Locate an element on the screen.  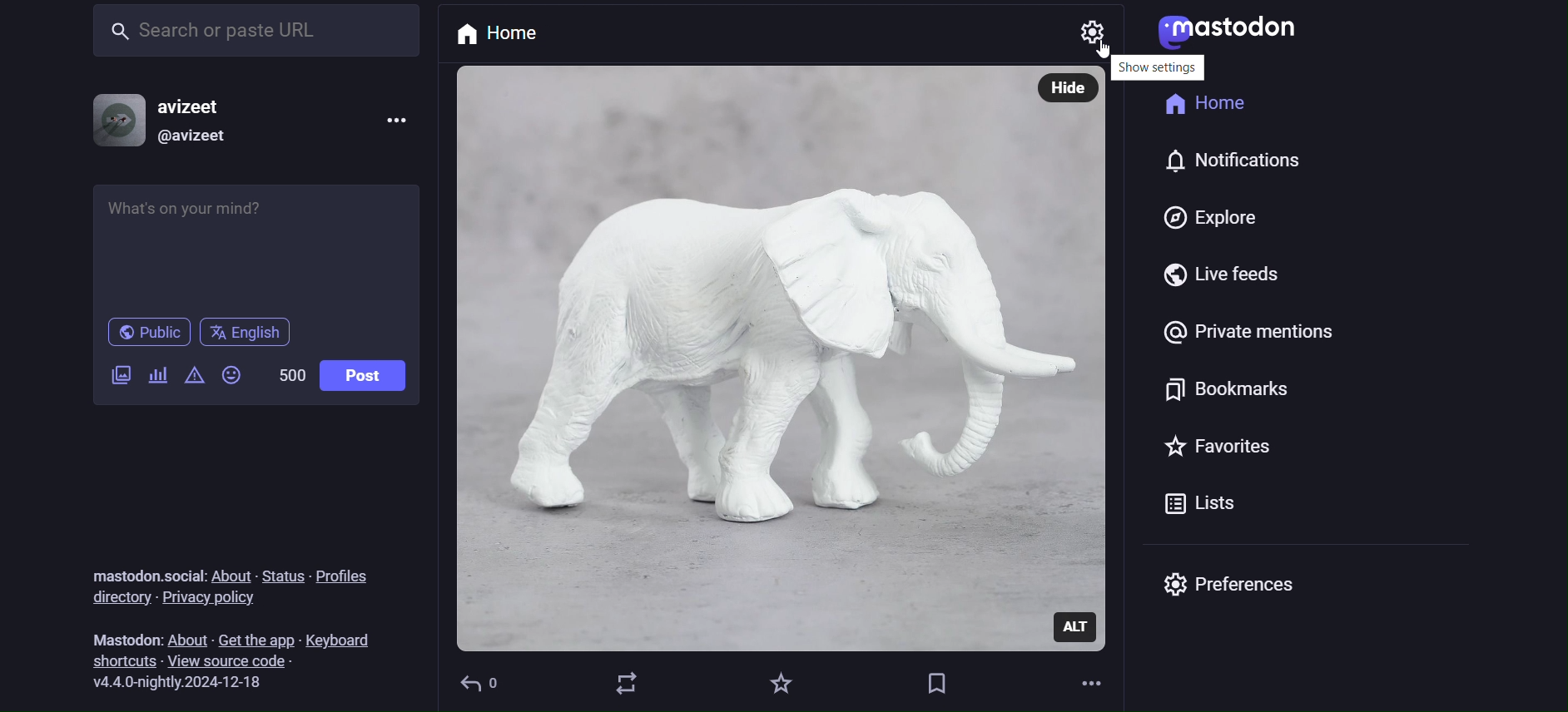
Live feeds is located at coordinates (1225, 279).